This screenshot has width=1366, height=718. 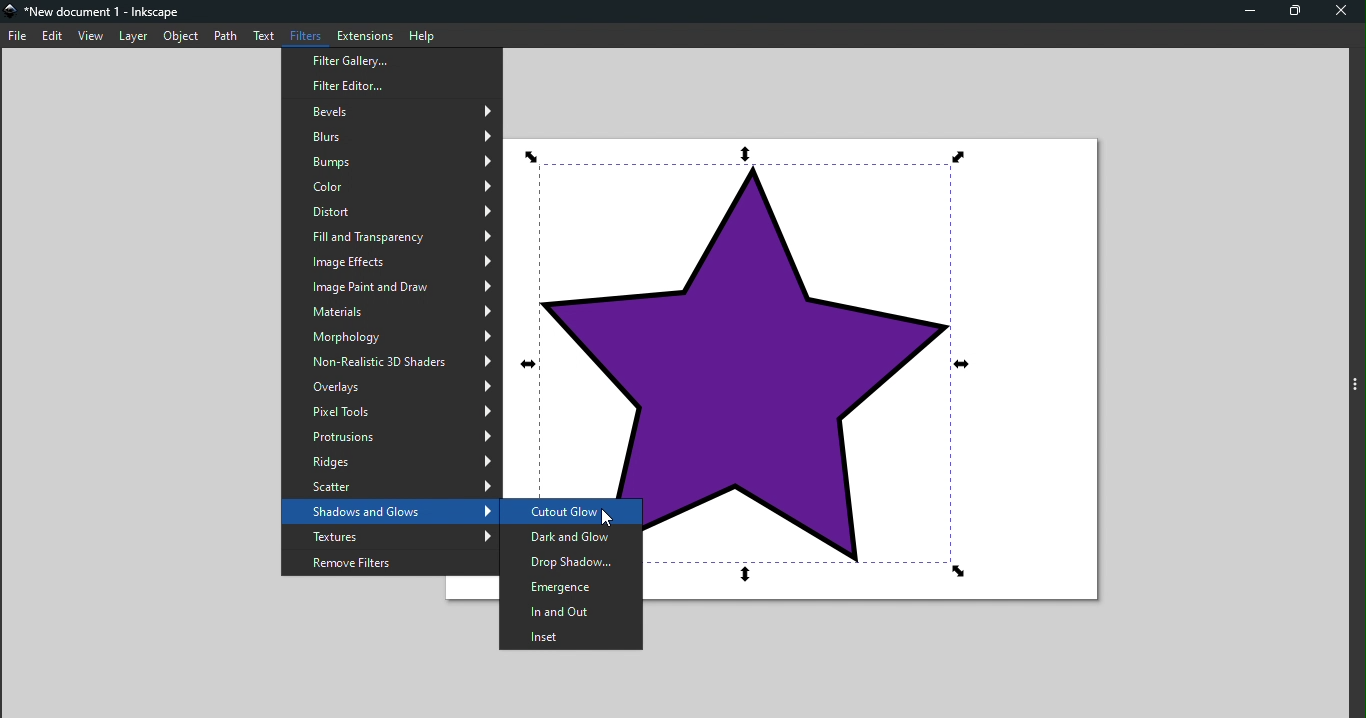 I want to click on Toggle command panel, so click(x=1358, y=386).